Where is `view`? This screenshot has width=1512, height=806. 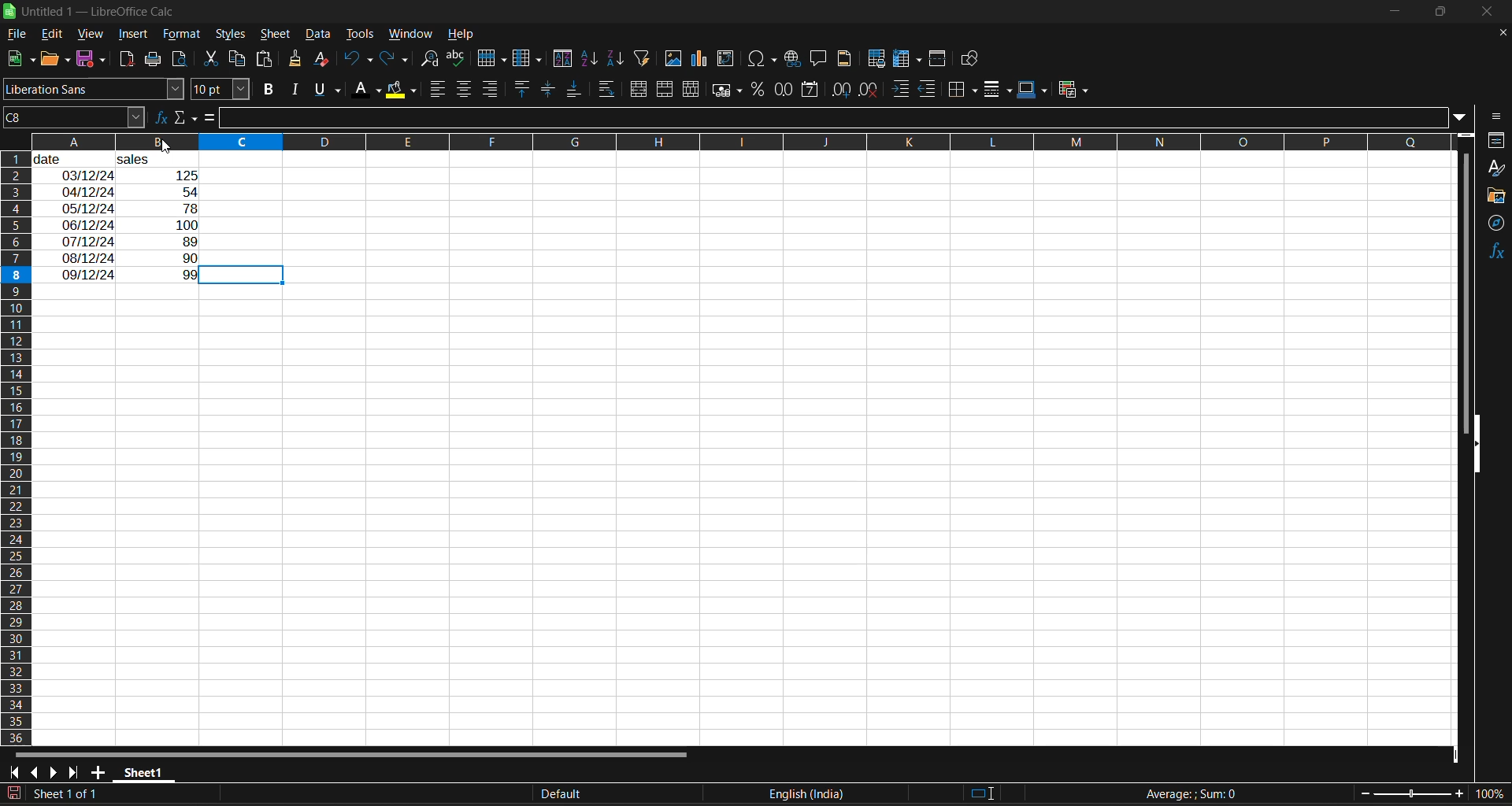 view is located at coordinates (92, 31).